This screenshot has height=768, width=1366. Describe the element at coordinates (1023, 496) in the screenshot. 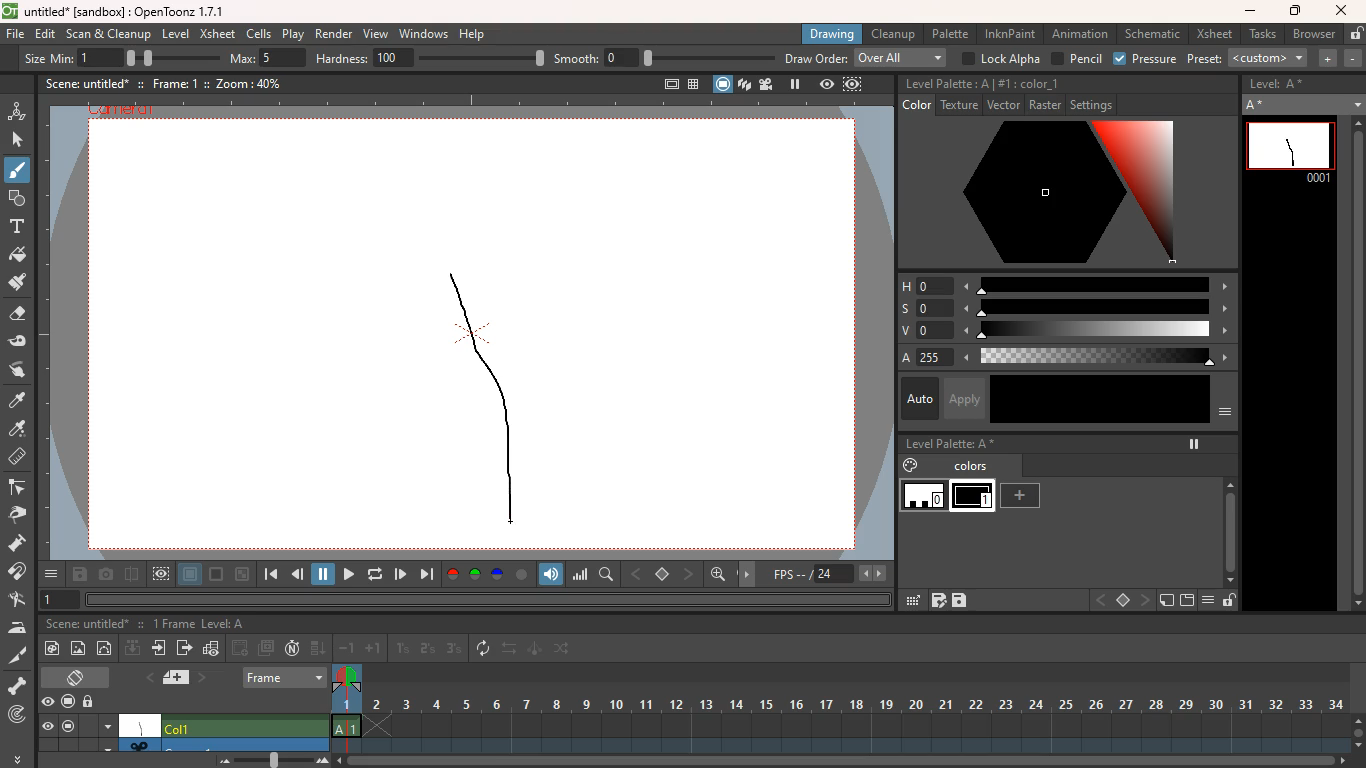

I see `add` at that location.